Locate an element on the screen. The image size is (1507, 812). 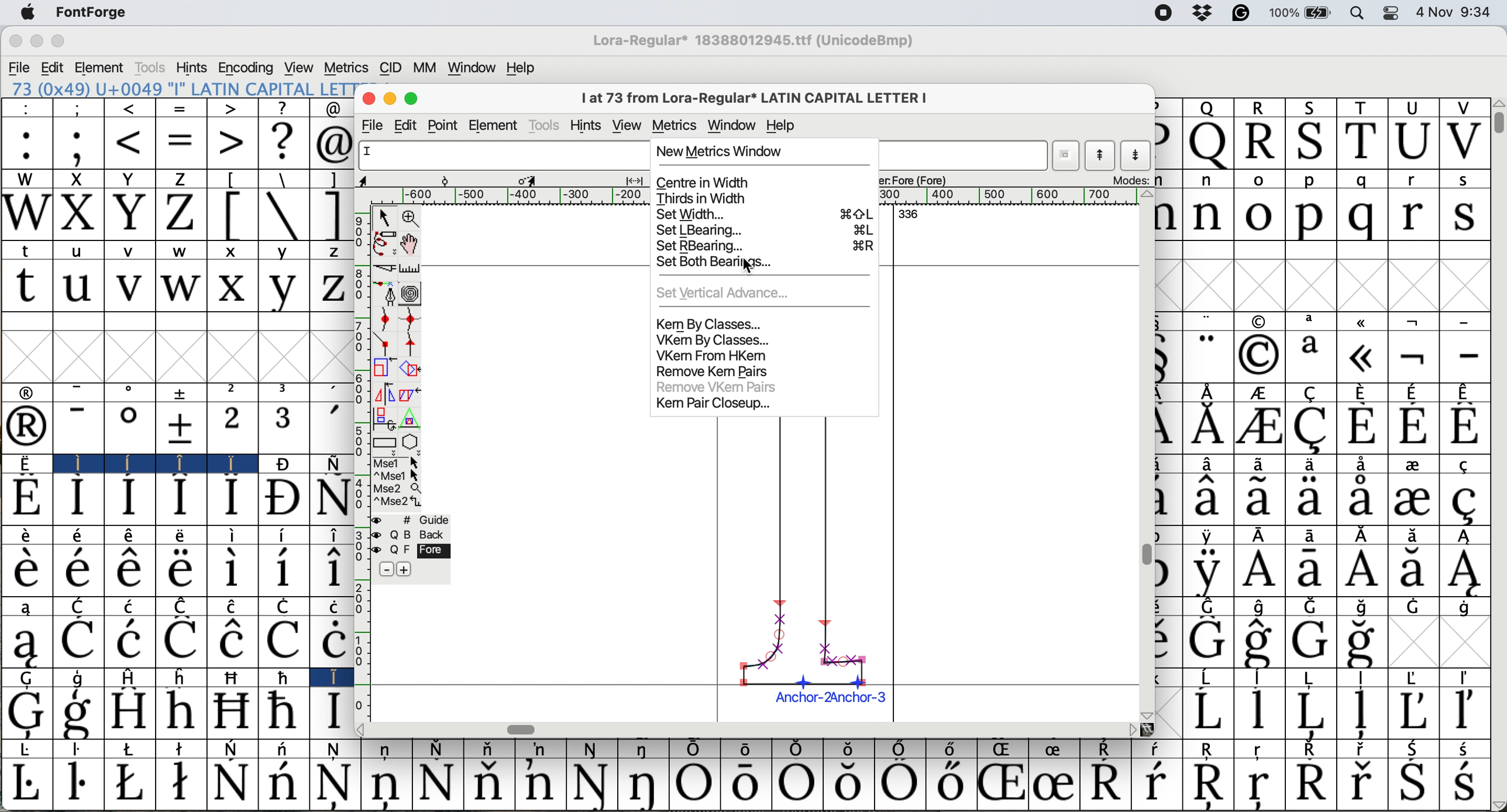
Symbol is located at coordinates (333, 535).